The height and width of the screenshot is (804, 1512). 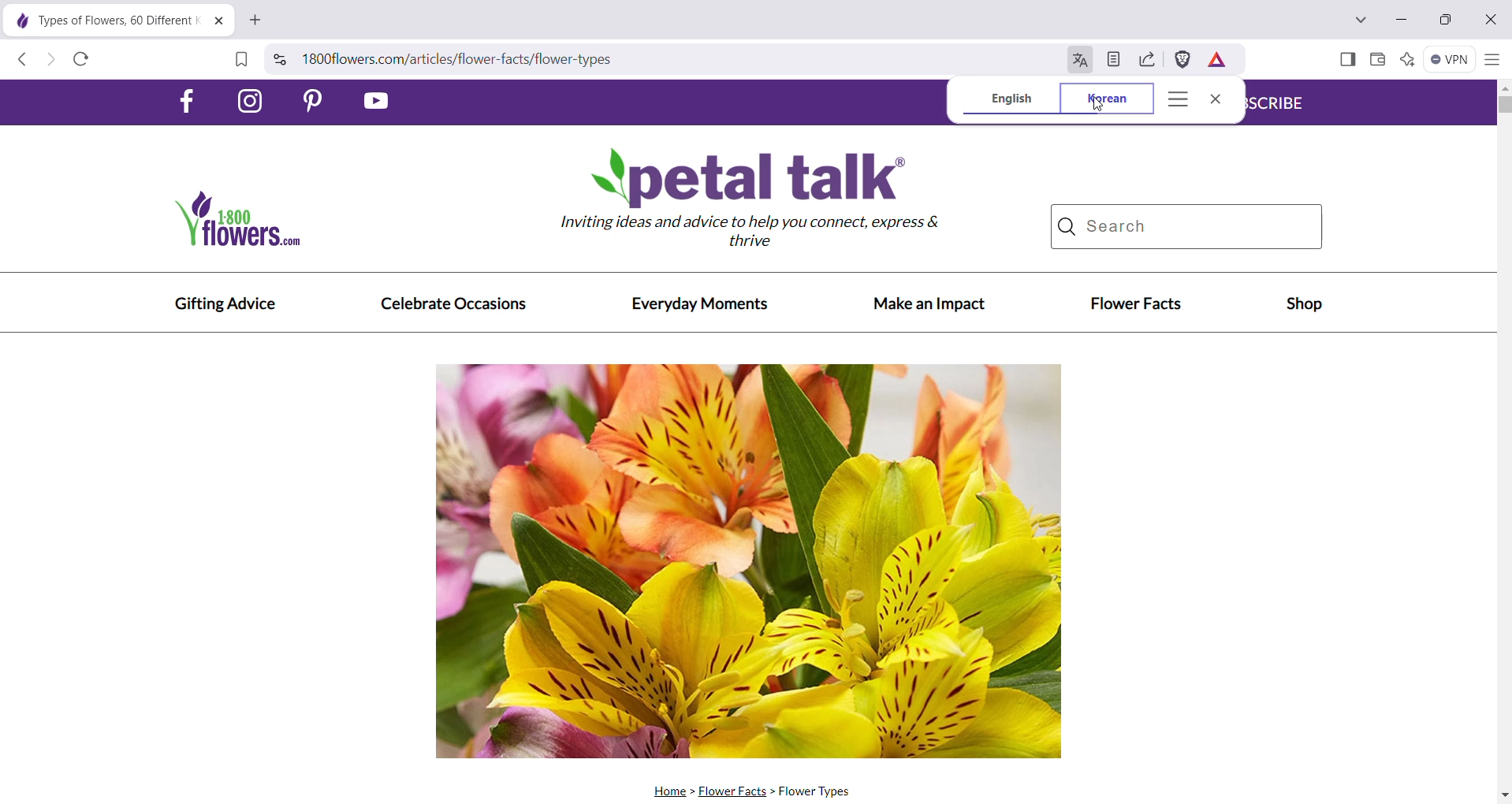 What do you see at coordinates (1095, 106) in the screenshot?
I see `cursor` at bounding box center [1095, 106].